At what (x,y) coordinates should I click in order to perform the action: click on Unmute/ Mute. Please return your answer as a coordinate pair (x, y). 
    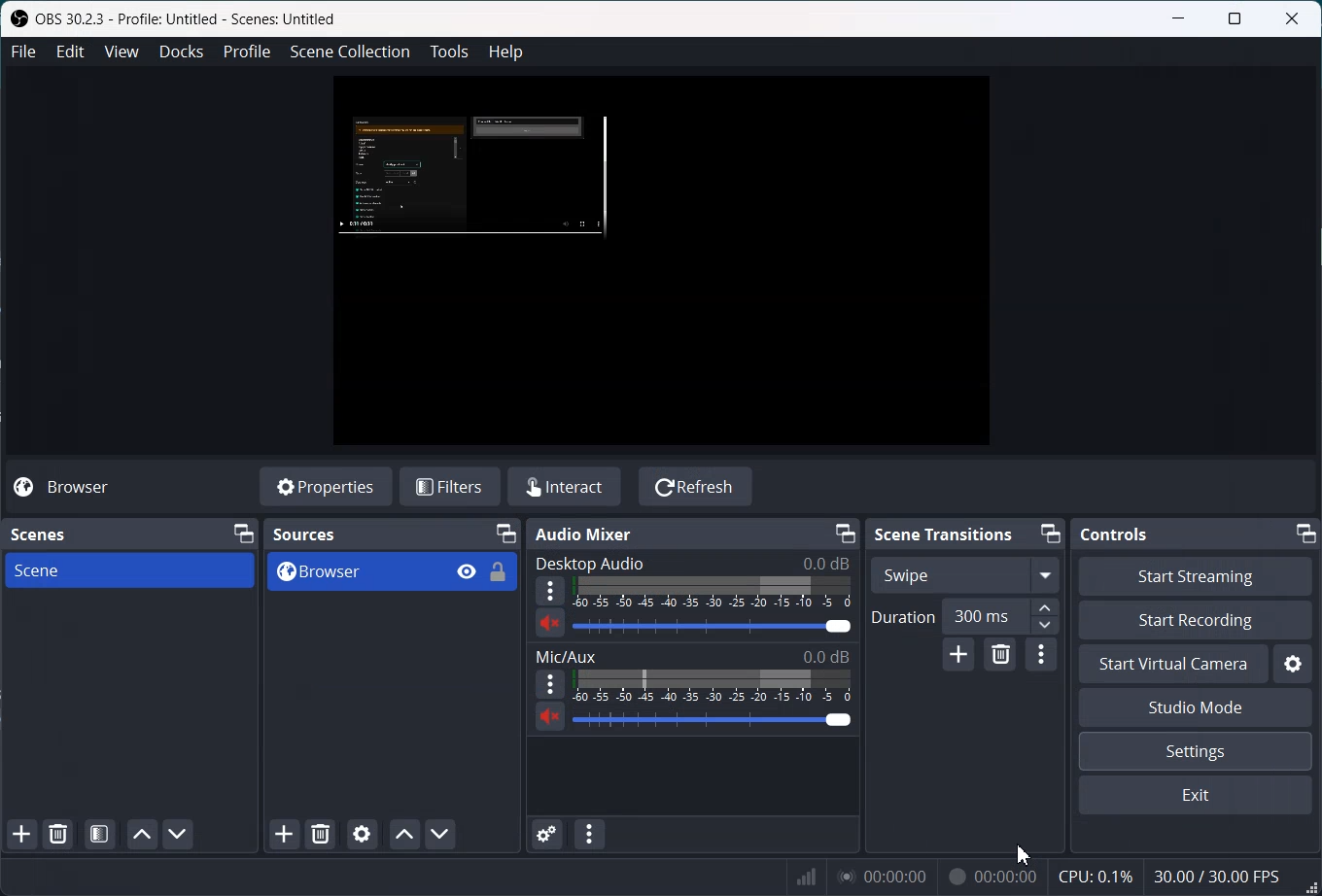
    Looking at the image, I should click on (549, 623).